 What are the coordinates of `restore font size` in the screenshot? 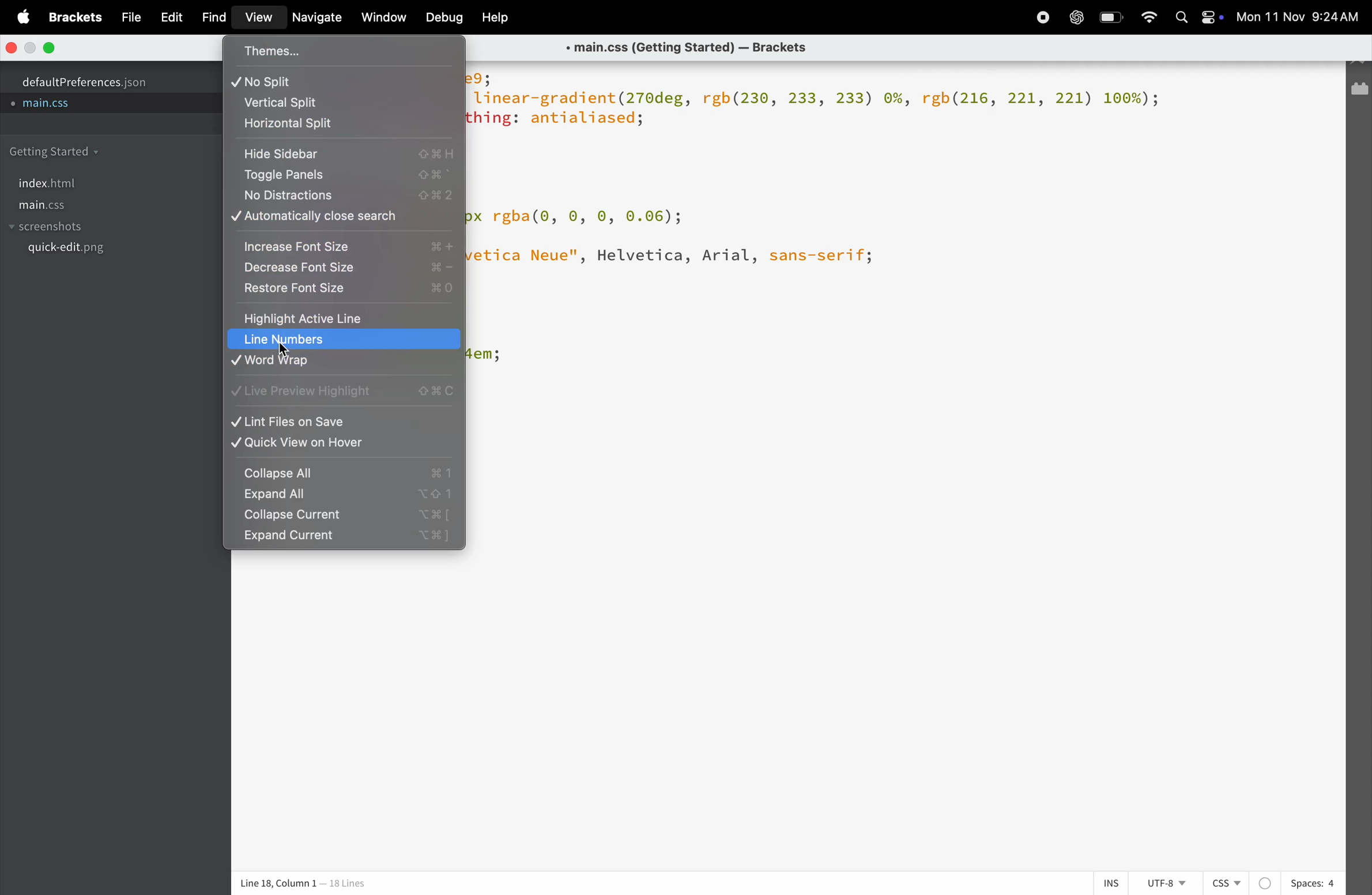 It's located at (346, 289).